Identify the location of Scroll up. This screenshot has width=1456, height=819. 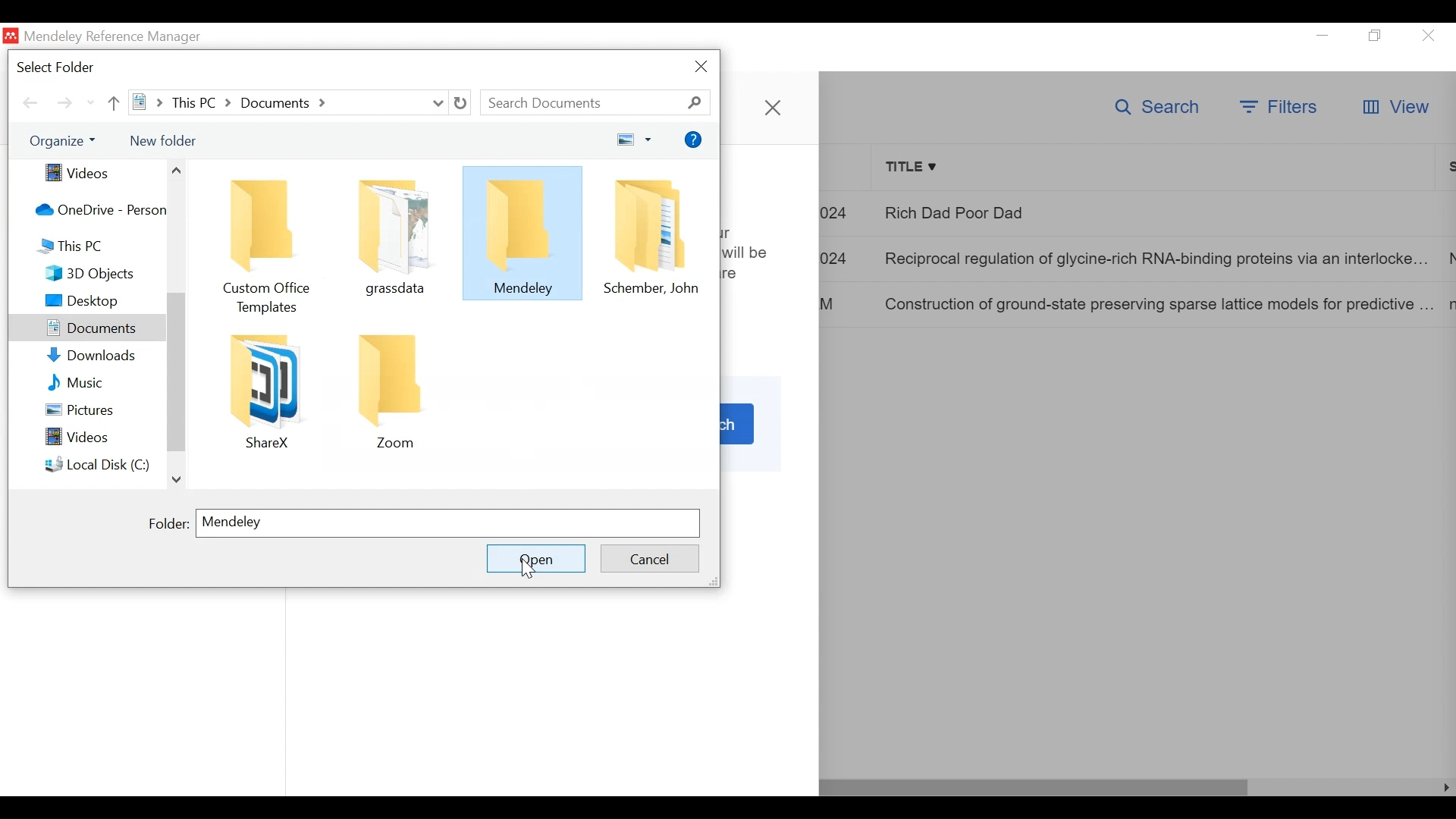
(176, 168).